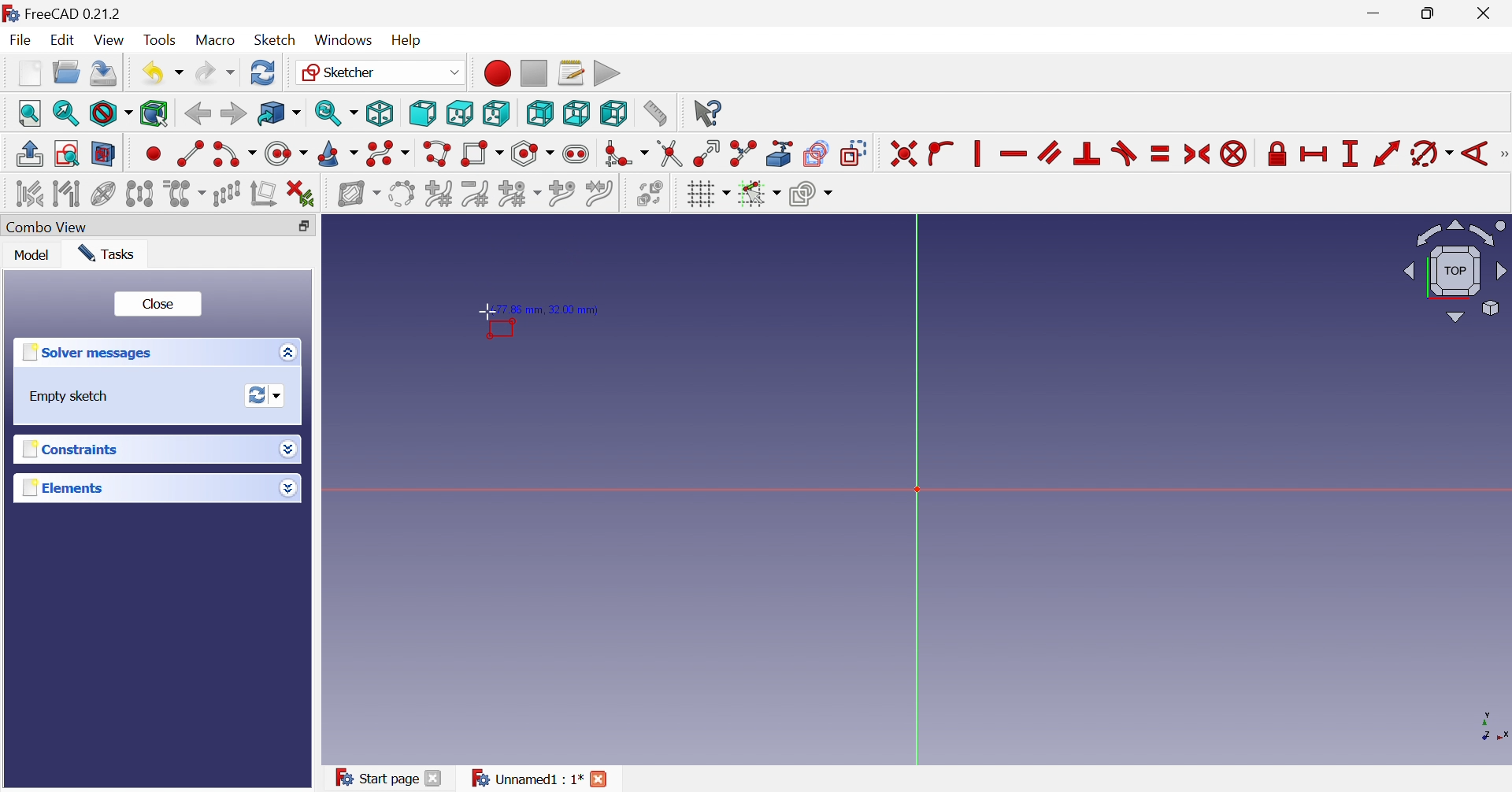 This screenshot has height=792, width=1512. Describe the element at coordinates (104, 73) in the screenshot. I see `Save` at that location.